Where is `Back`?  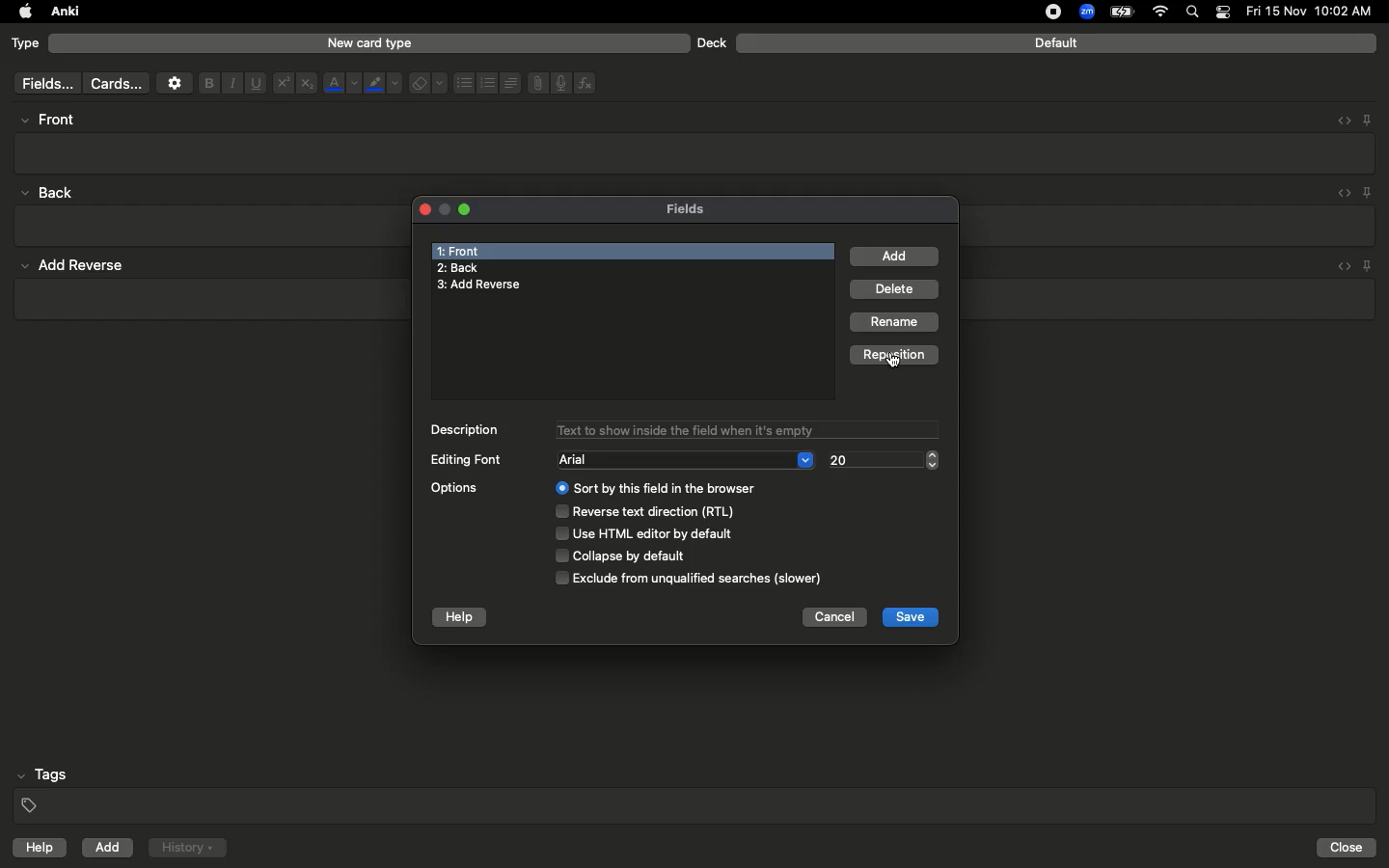 Back is located at coordinates (458, 269).